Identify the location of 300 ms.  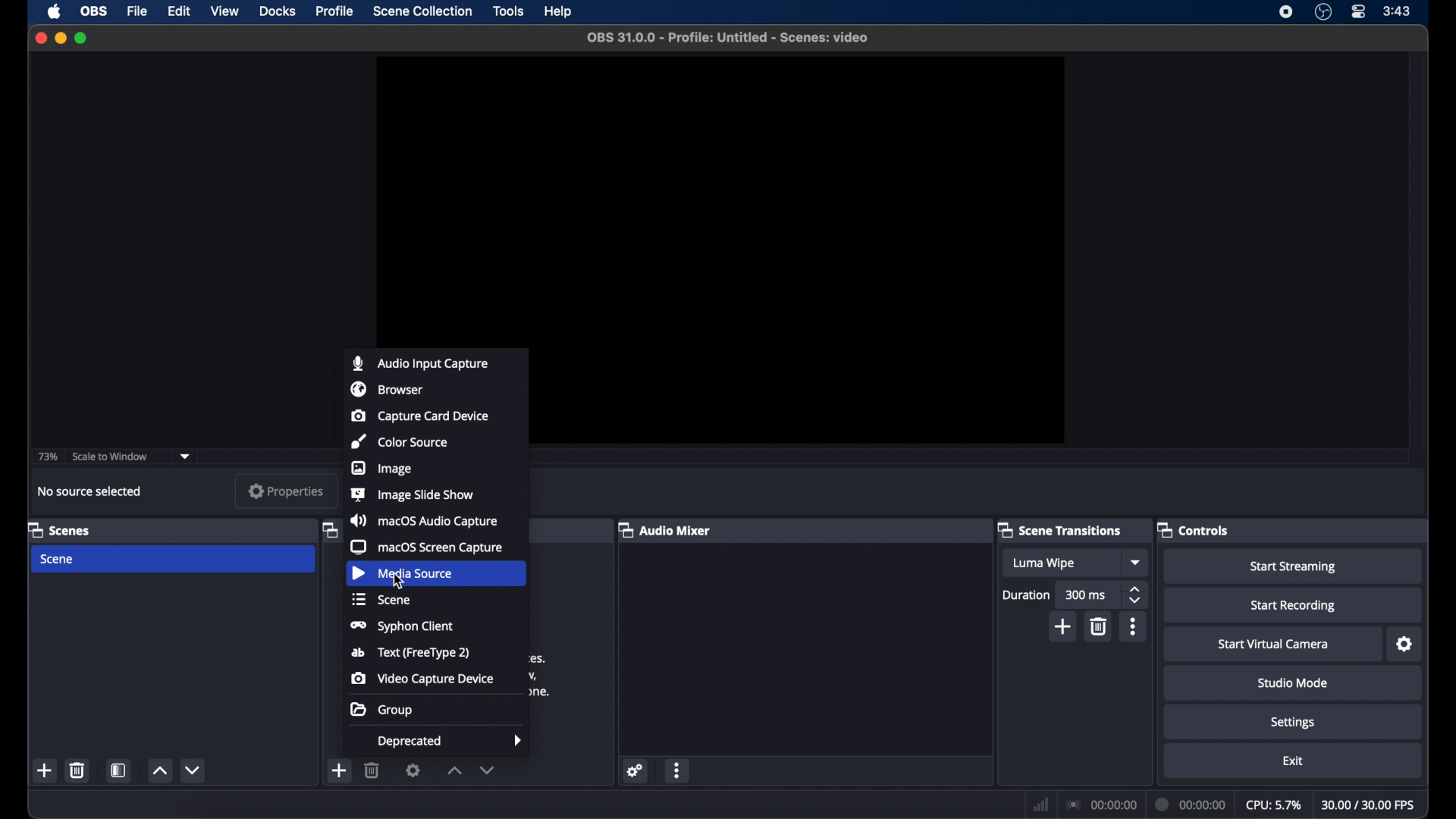
(1087, 594).